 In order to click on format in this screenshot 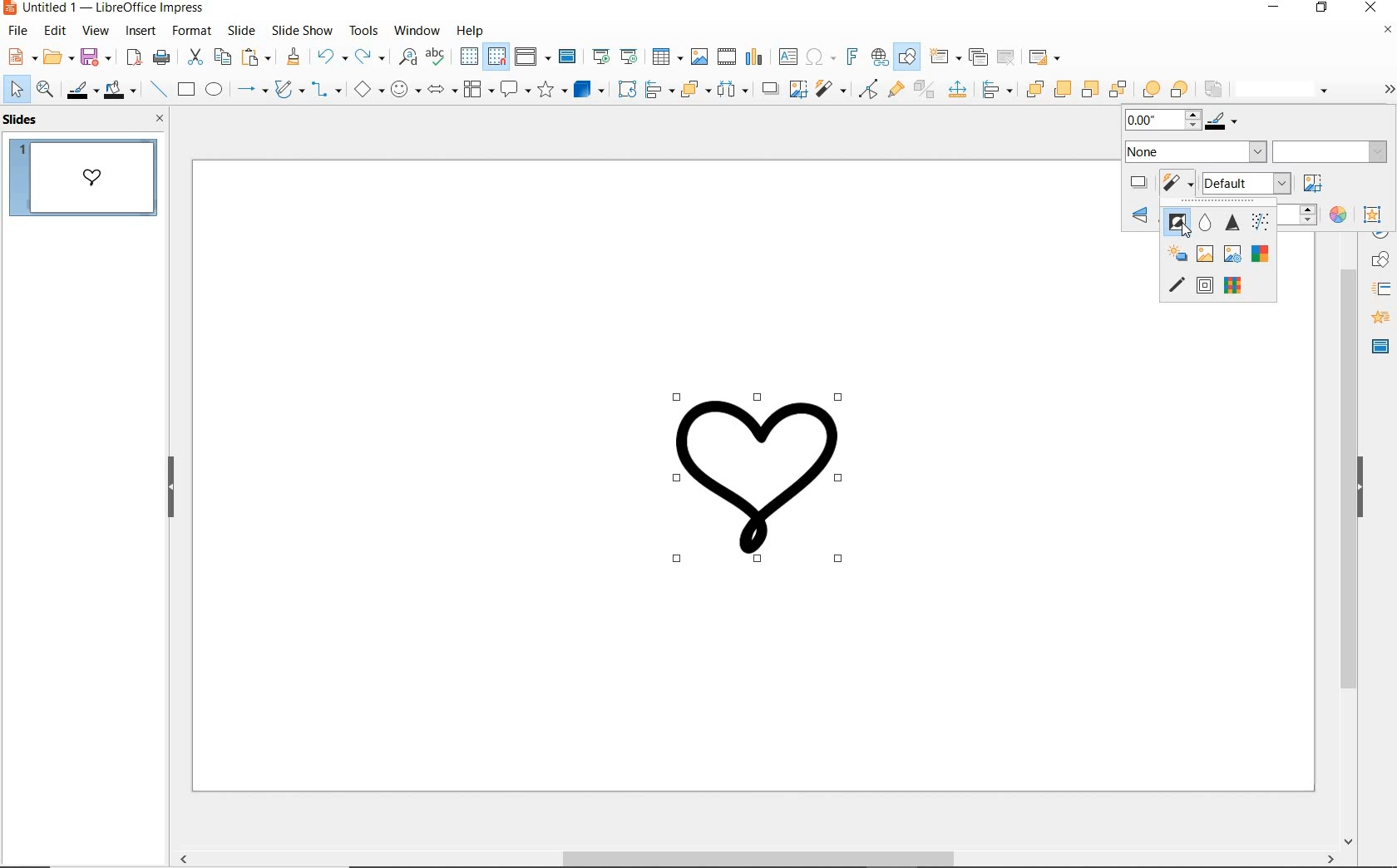, I will do `click(192, 31)`.